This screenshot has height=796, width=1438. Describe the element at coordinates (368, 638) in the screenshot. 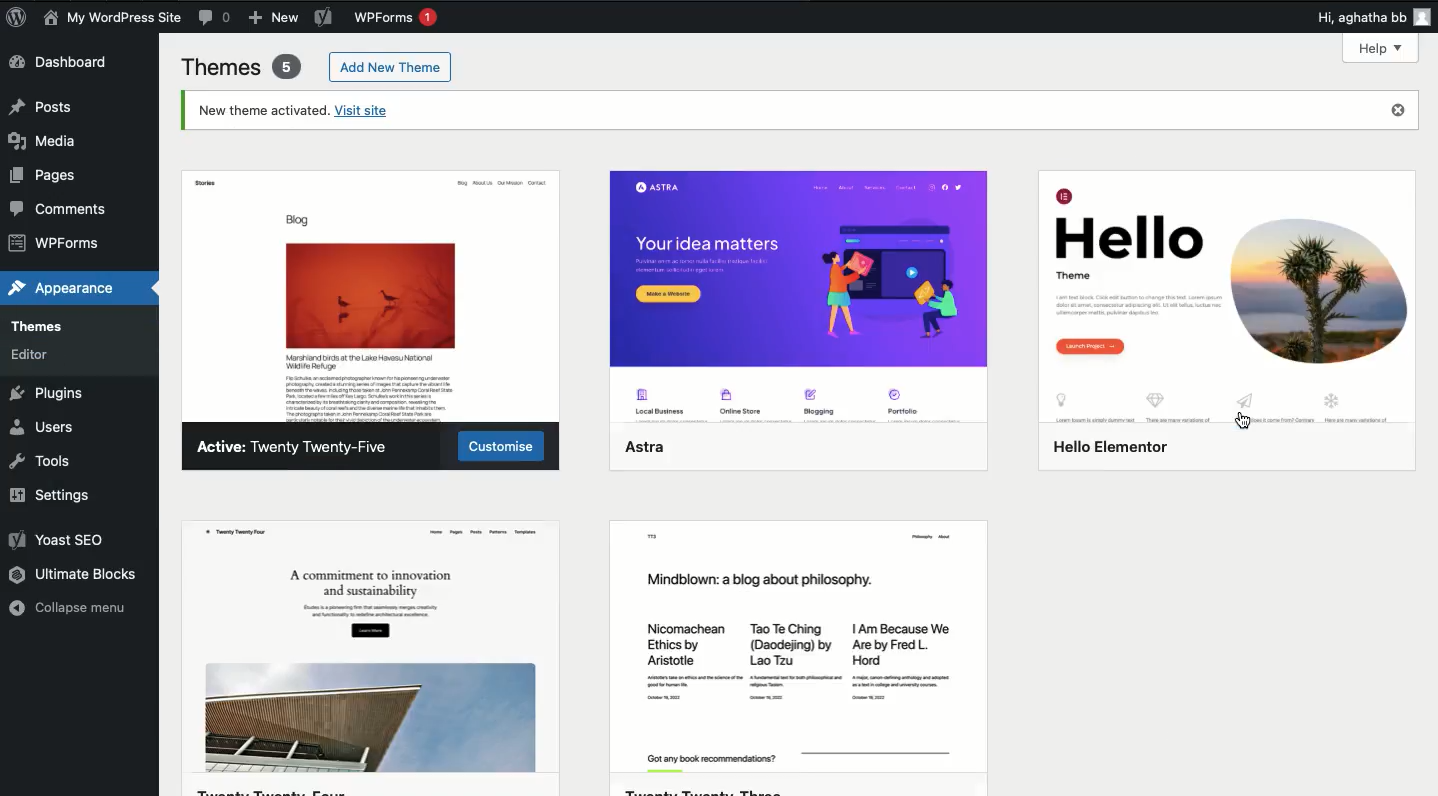

I see `Theme` at that location.